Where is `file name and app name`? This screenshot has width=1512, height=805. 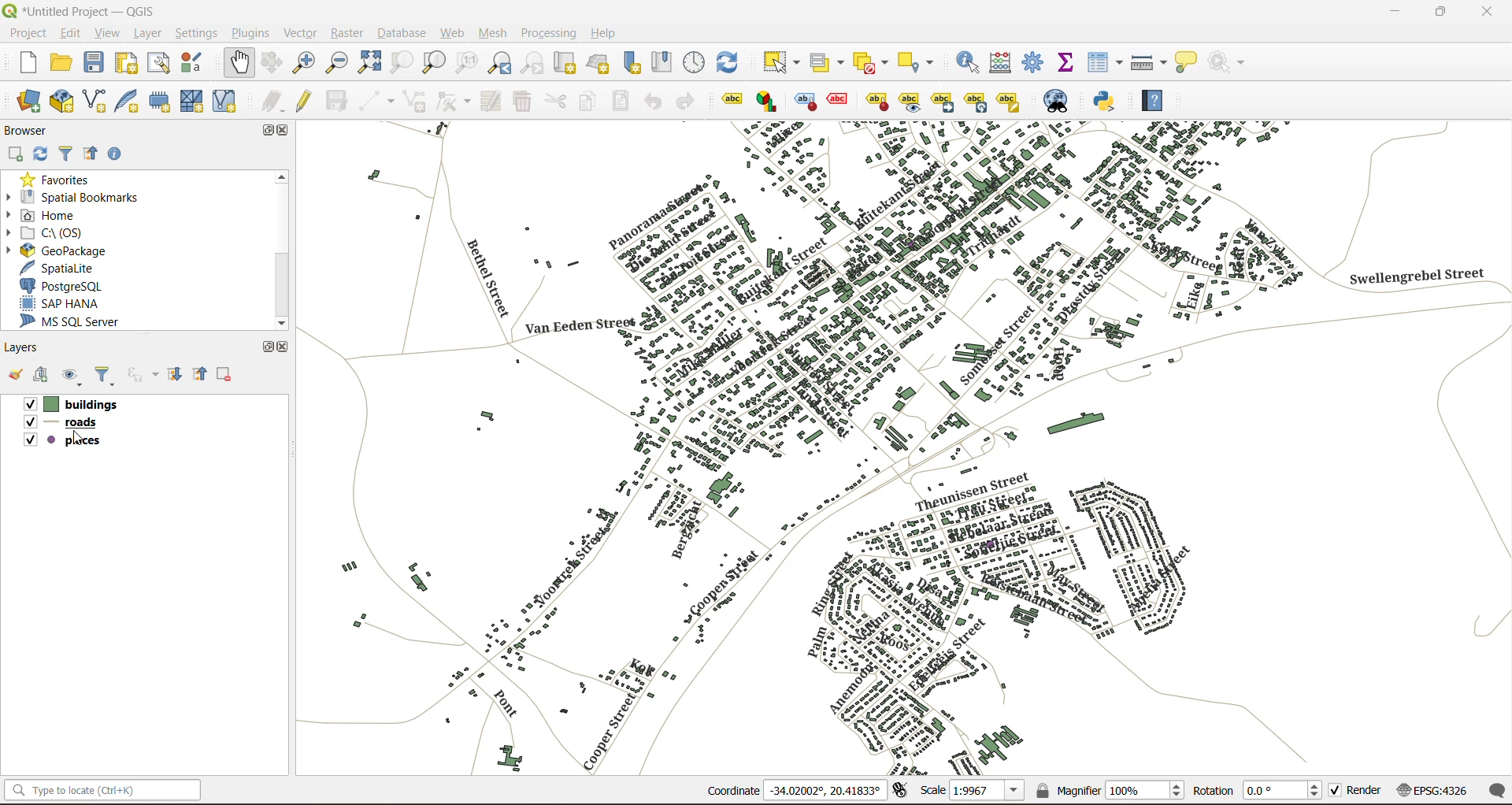
file name and app name is located at coordinates (80, 10).